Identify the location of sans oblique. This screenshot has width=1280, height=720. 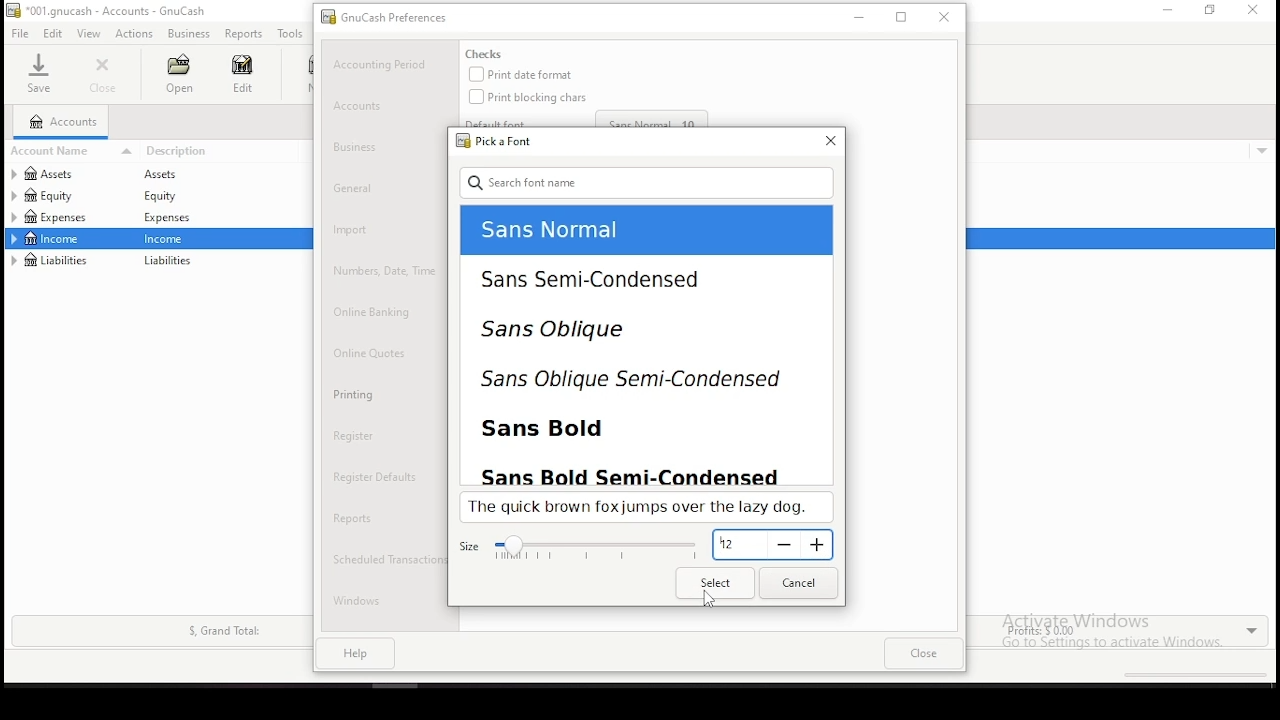
(590, 335).